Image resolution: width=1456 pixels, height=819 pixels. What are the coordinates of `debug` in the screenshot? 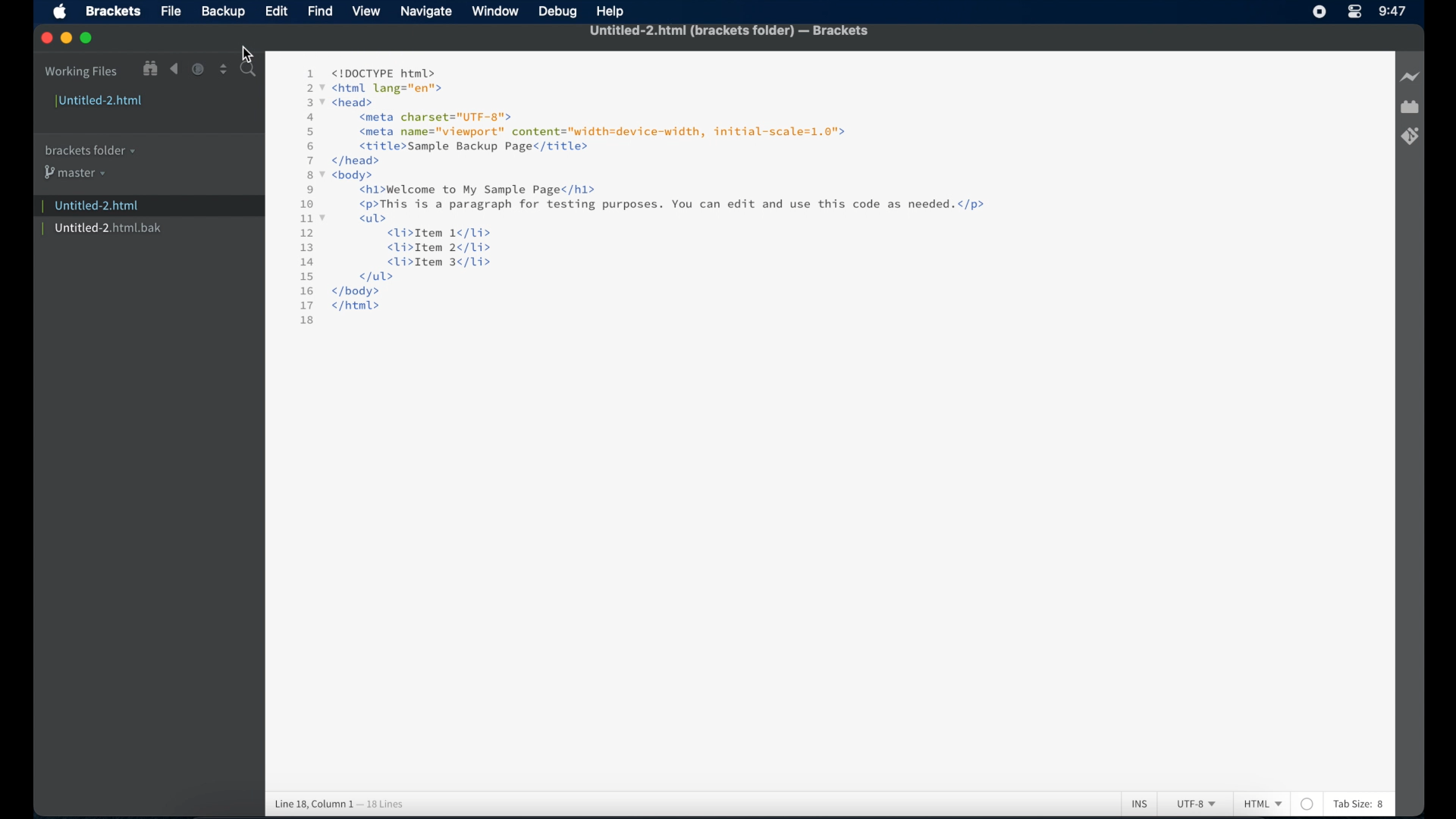 It's located at (556, 12).